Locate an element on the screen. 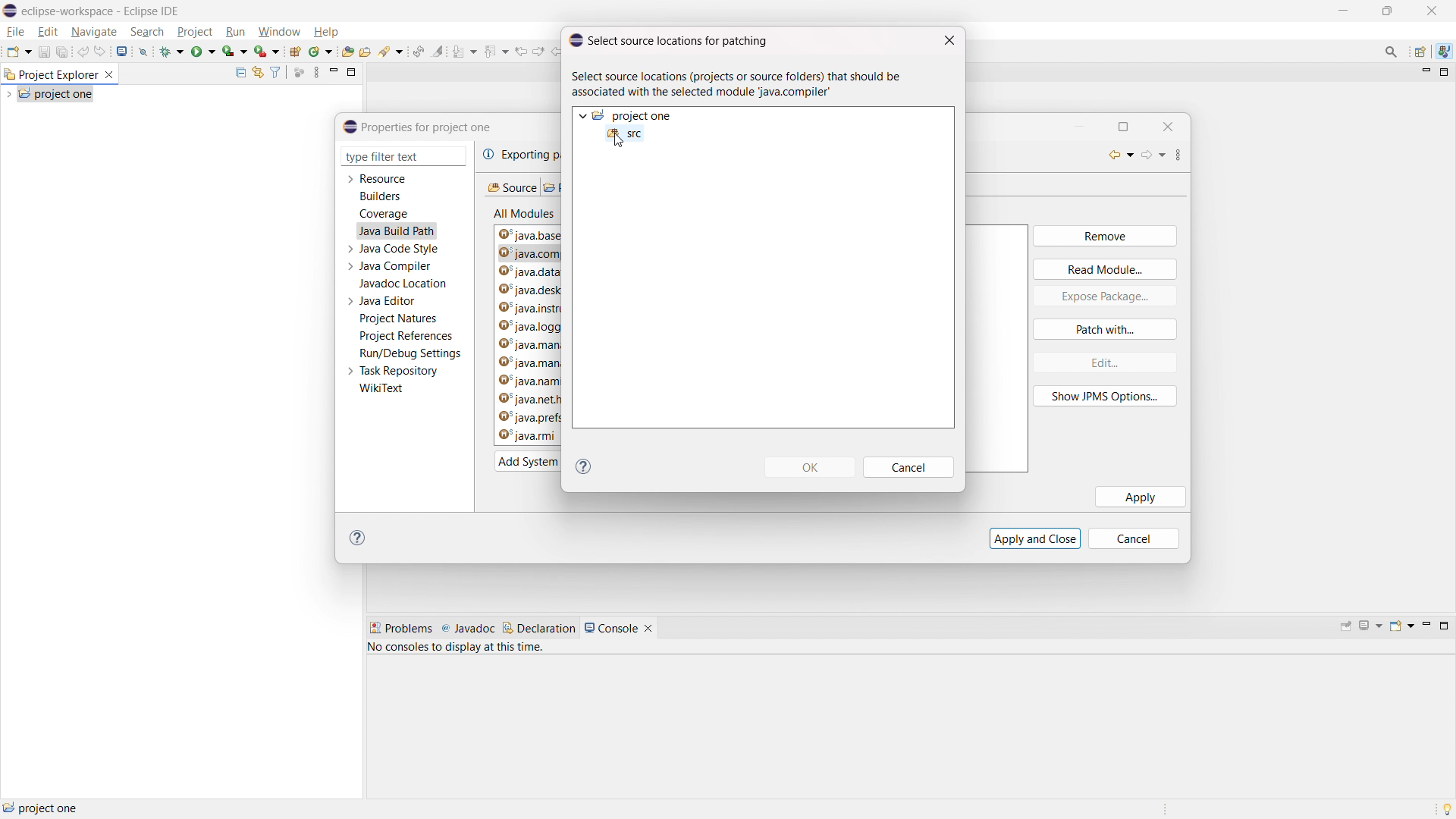 The width and height of the screenshot is (1456, 819). new is located at coordinates (18, 51).